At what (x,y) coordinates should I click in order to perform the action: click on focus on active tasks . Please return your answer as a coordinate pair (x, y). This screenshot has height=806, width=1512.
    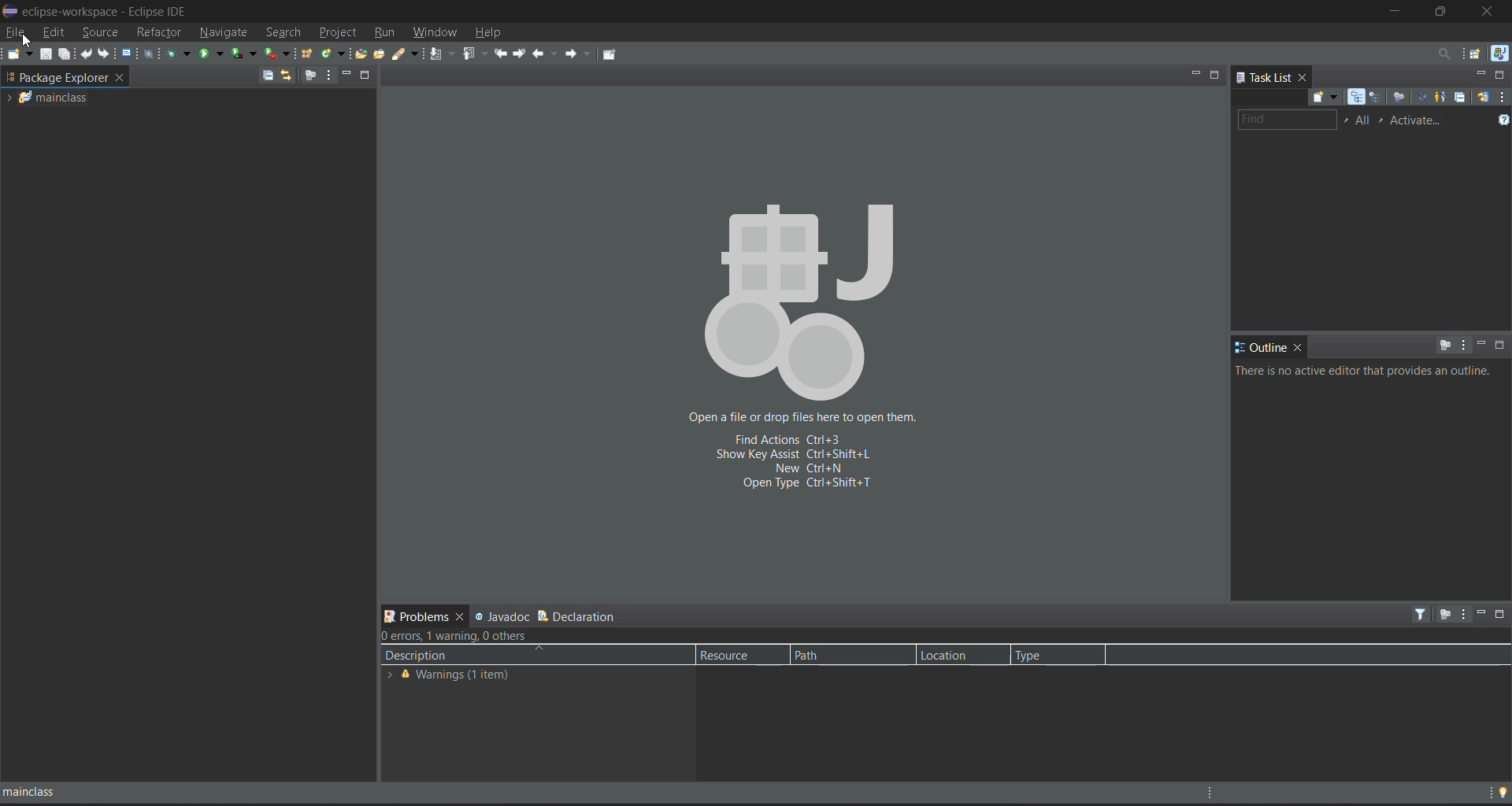
    Looking at the image, I should click on (310, 76).